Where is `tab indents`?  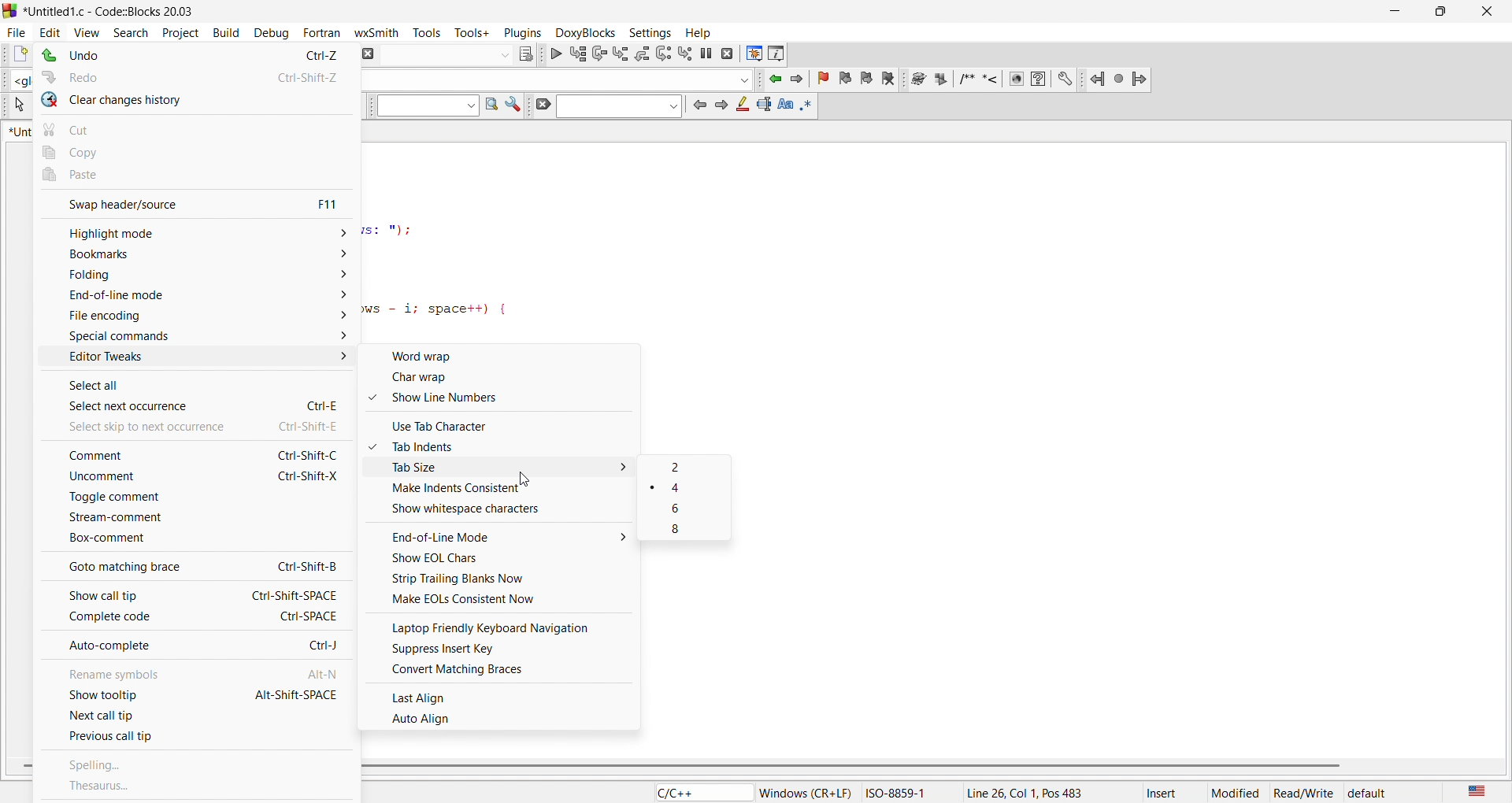 tab indents is located at coordinates (507, 447).